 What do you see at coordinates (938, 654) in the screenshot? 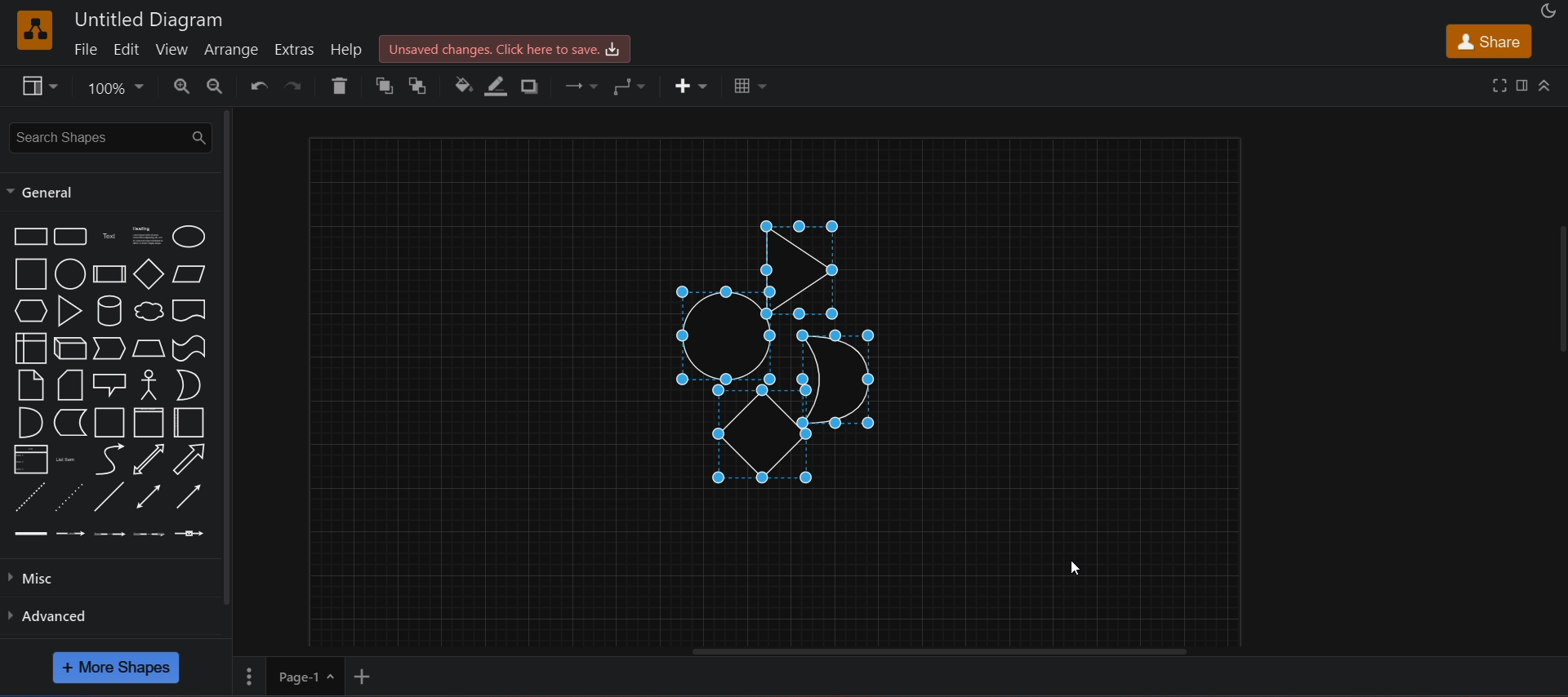
I see `horizontal scroll bar` at bounding box center [938, 654].